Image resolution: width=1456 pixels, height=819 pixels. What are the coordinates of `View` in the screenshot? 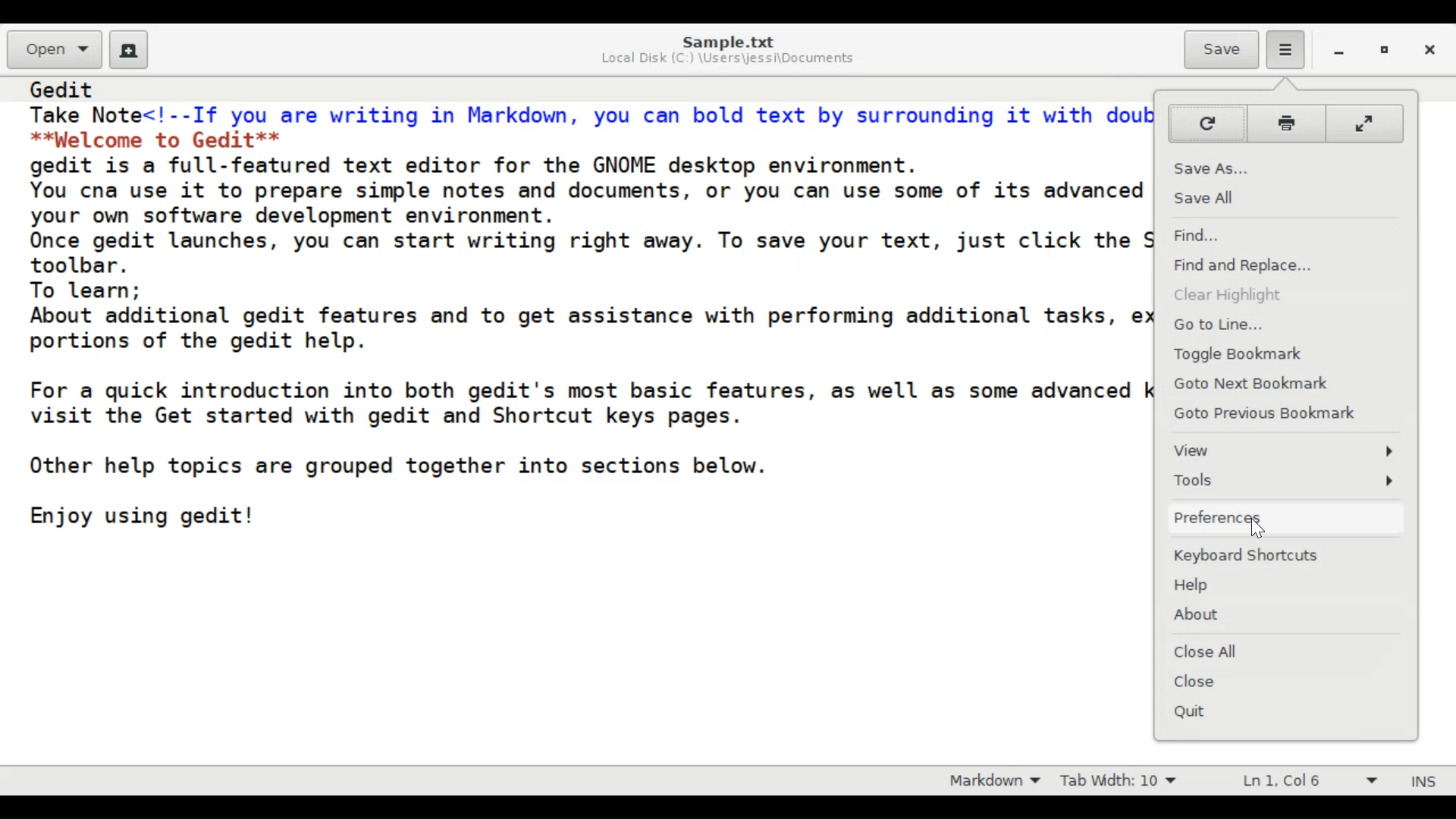 It's located at (1285, 451).